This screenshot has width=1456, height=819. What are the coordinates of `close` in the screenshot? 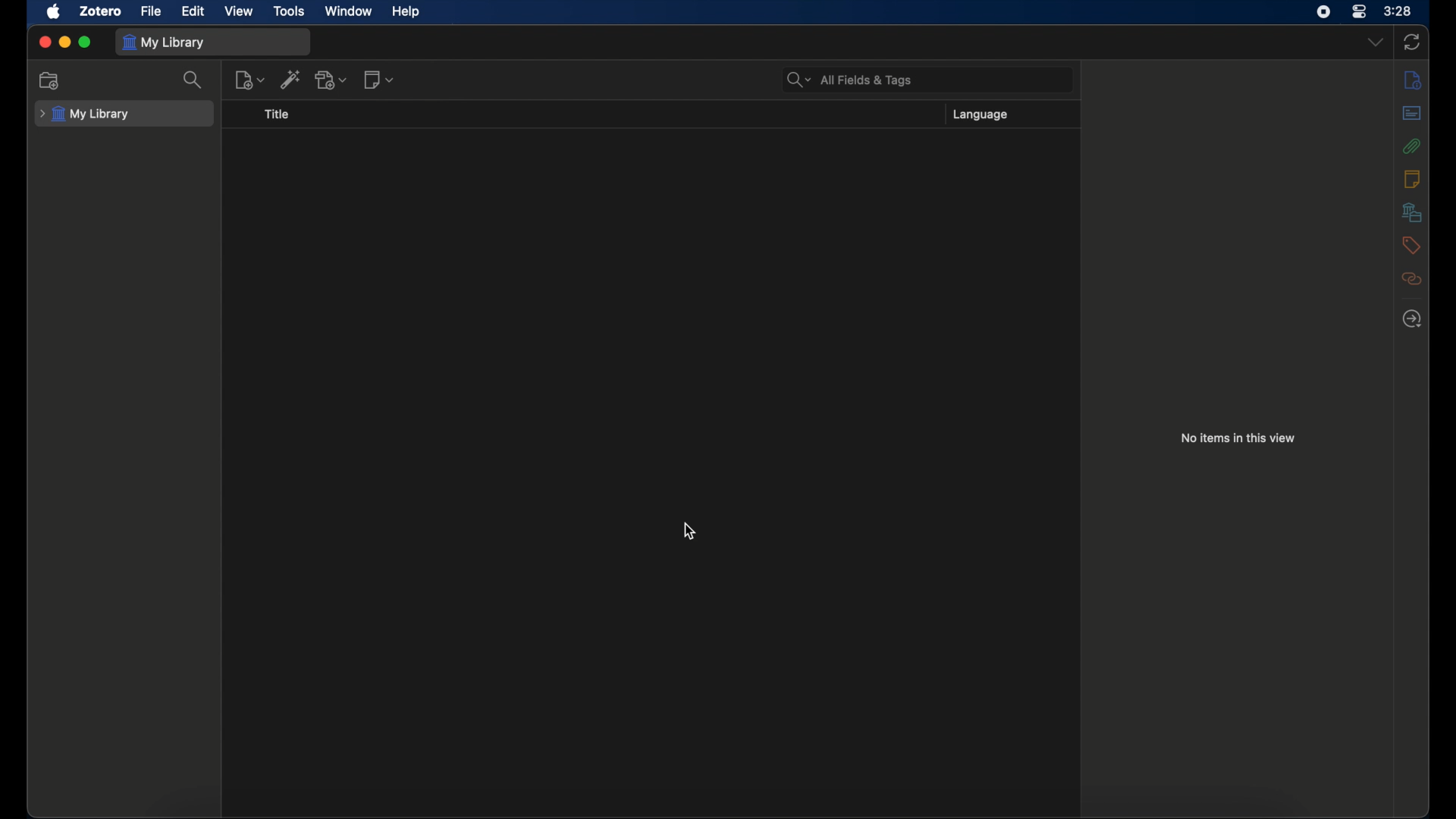 It's located at (44, 42).